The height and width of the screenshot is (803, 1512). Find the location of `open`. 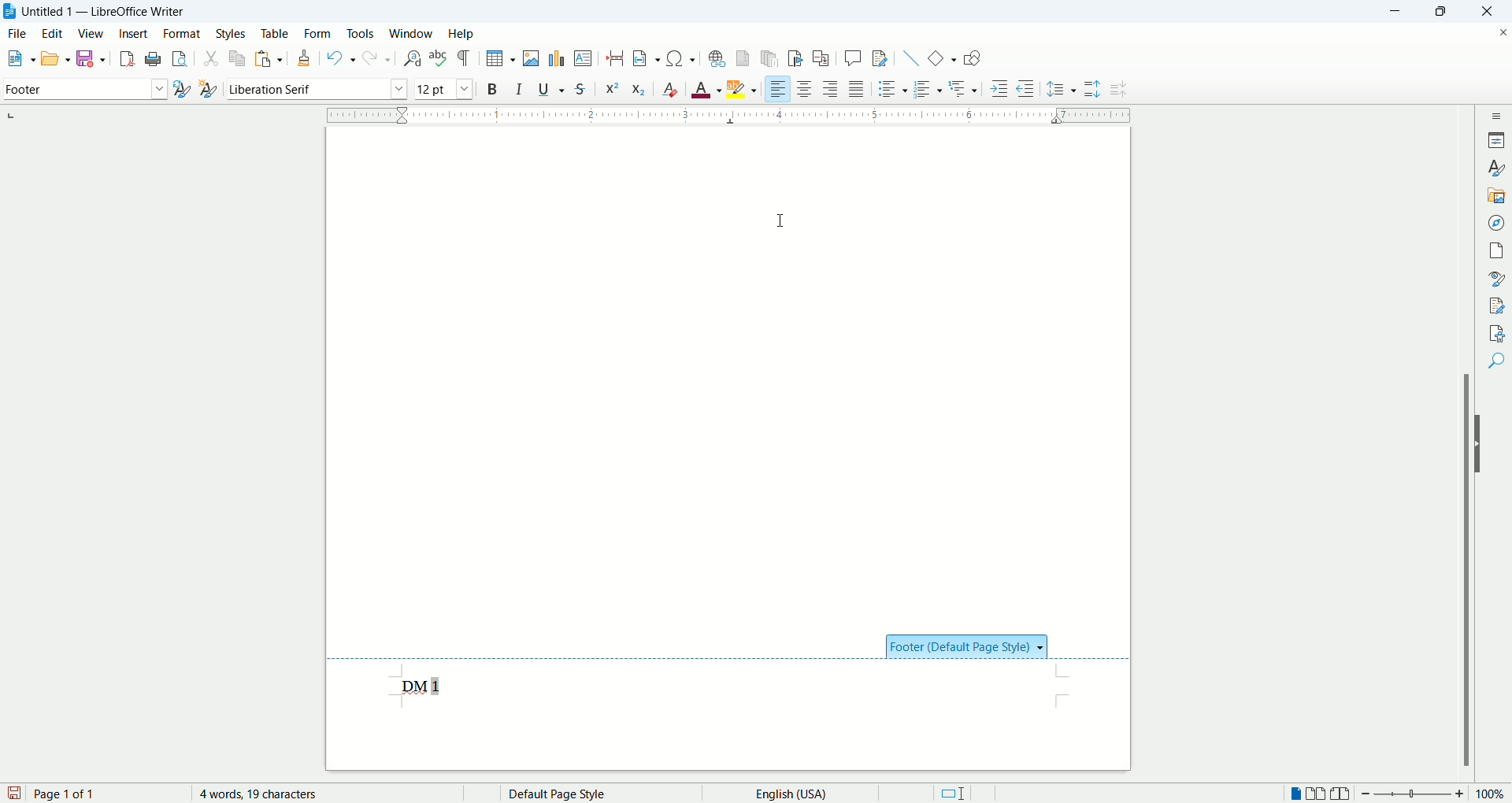

open is located at coordinates (54, 57).